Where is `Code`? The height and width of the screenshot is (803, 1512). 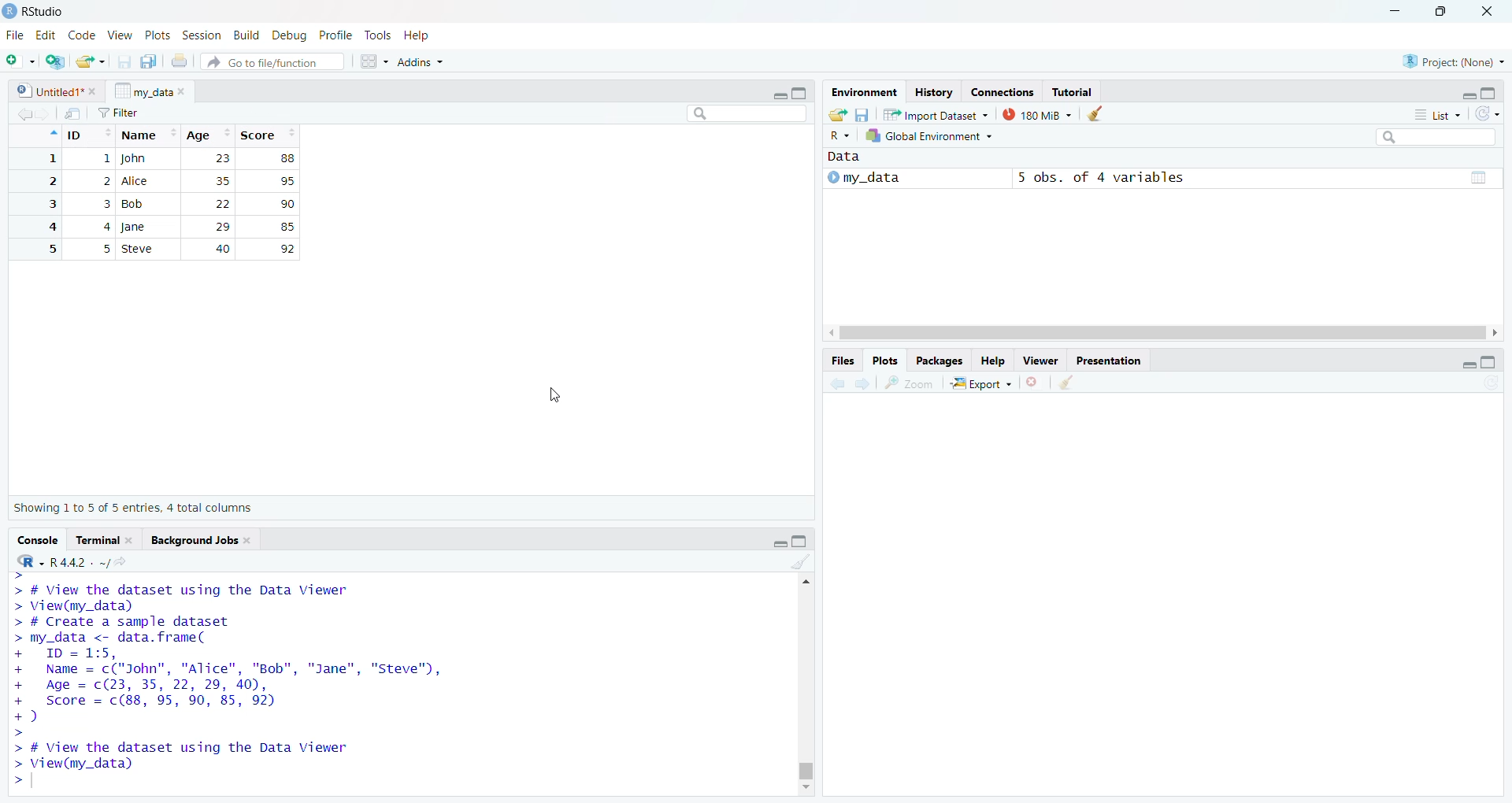
Code is located at coordinates (85, 36).